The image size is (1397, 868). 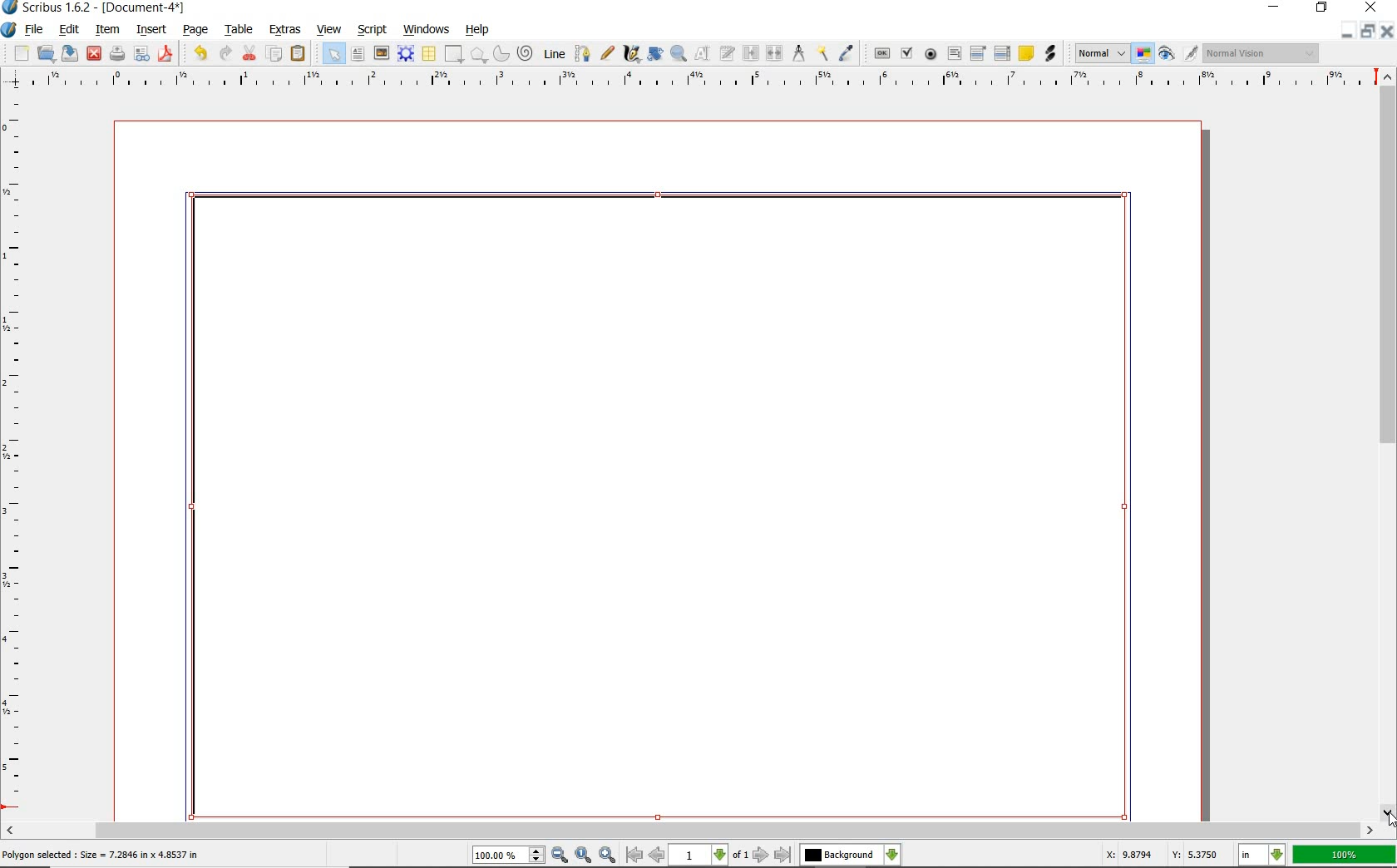 I want to click on toggle color management, so click(x=1144, y=55).